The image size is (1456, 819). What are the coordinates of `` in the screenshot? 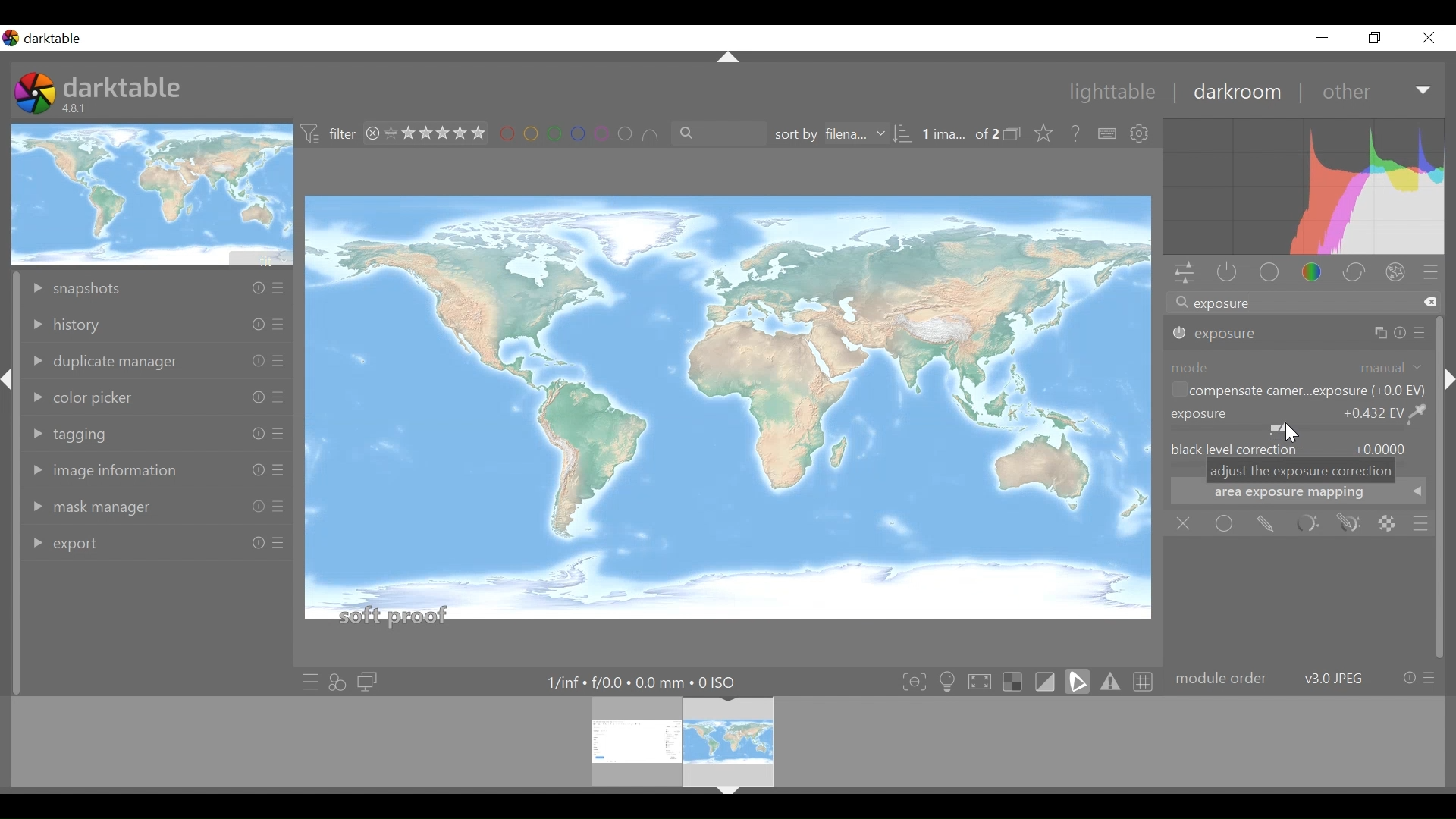 It's located at (253, 435).